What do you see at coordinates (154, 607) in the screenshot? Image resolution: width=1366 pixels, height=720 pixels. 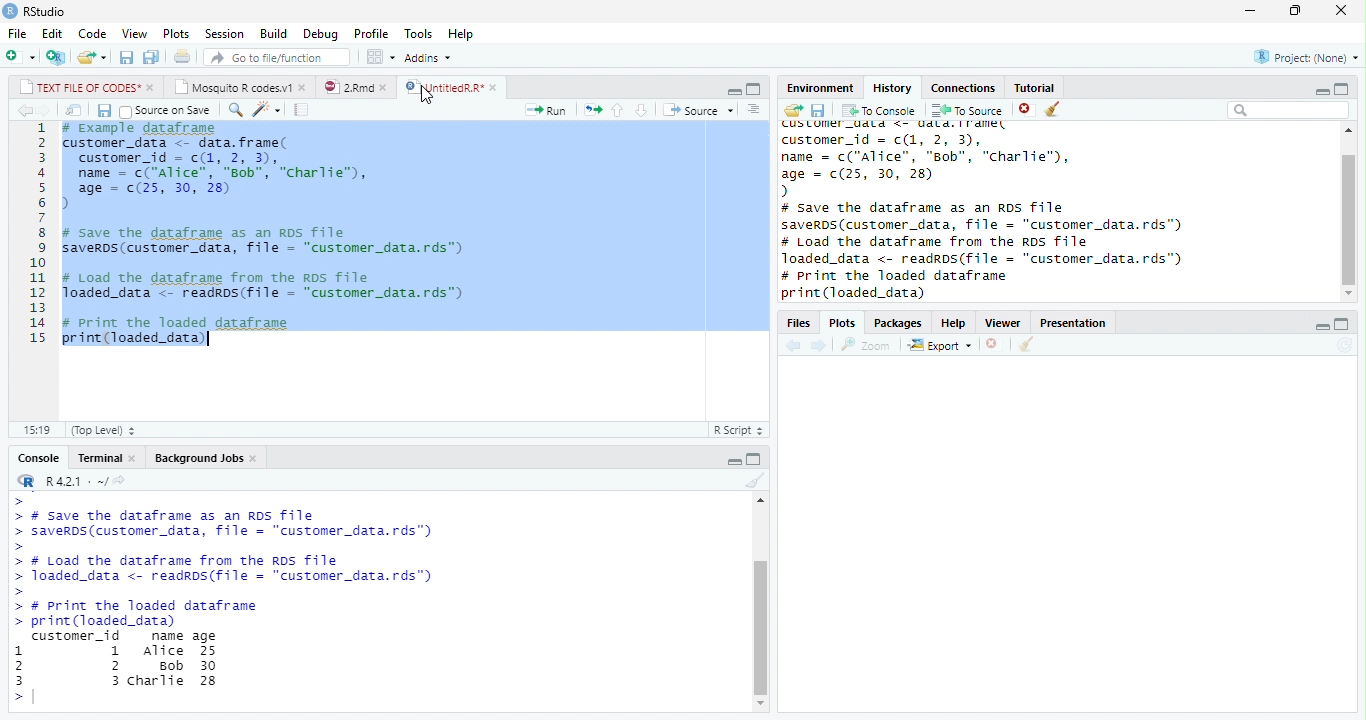 I see `>> # print the loaded datarrame> print(loaded_data)` at bounding box center [154, 607].